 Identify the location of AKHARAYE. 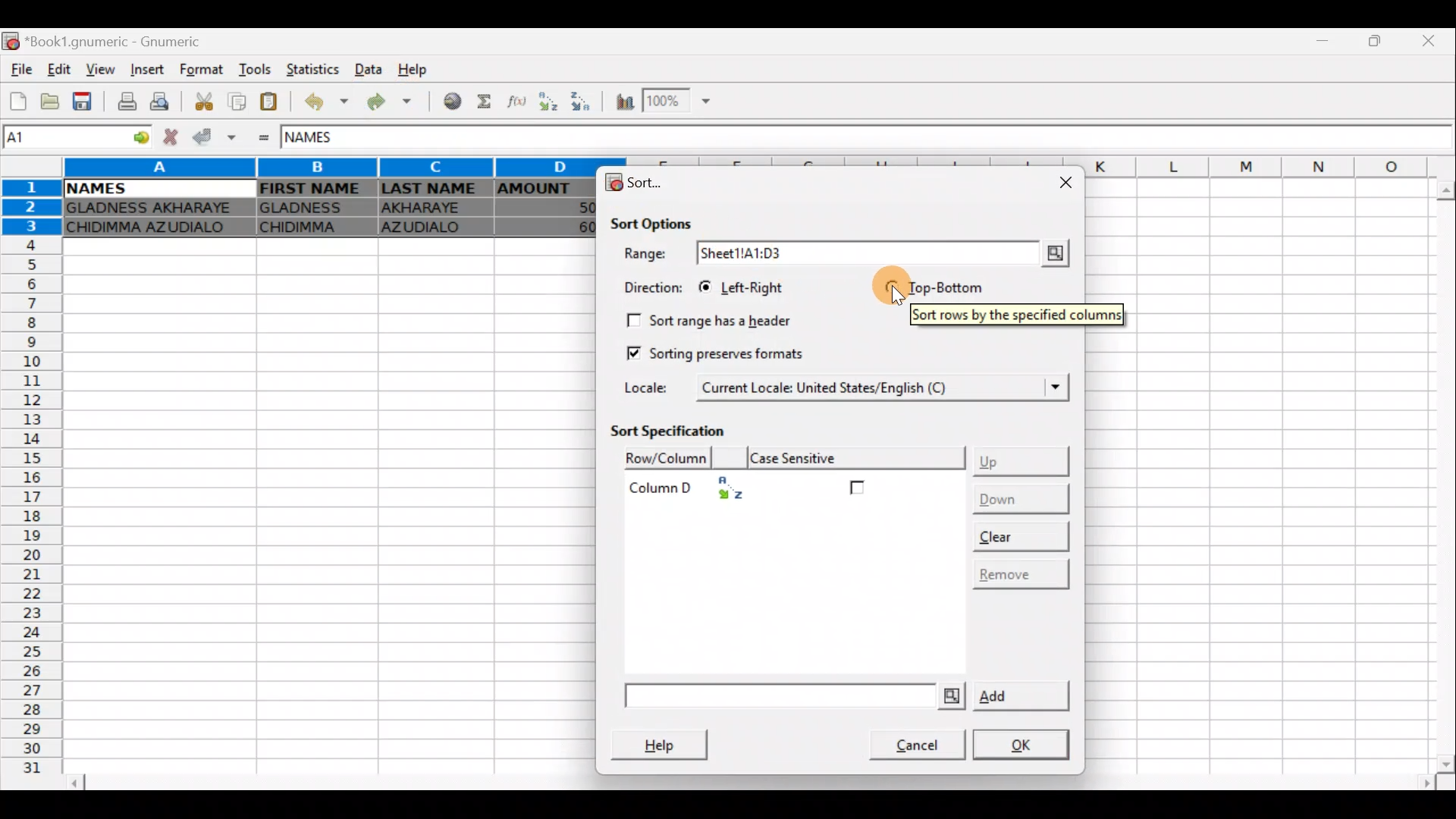
(434, 210).